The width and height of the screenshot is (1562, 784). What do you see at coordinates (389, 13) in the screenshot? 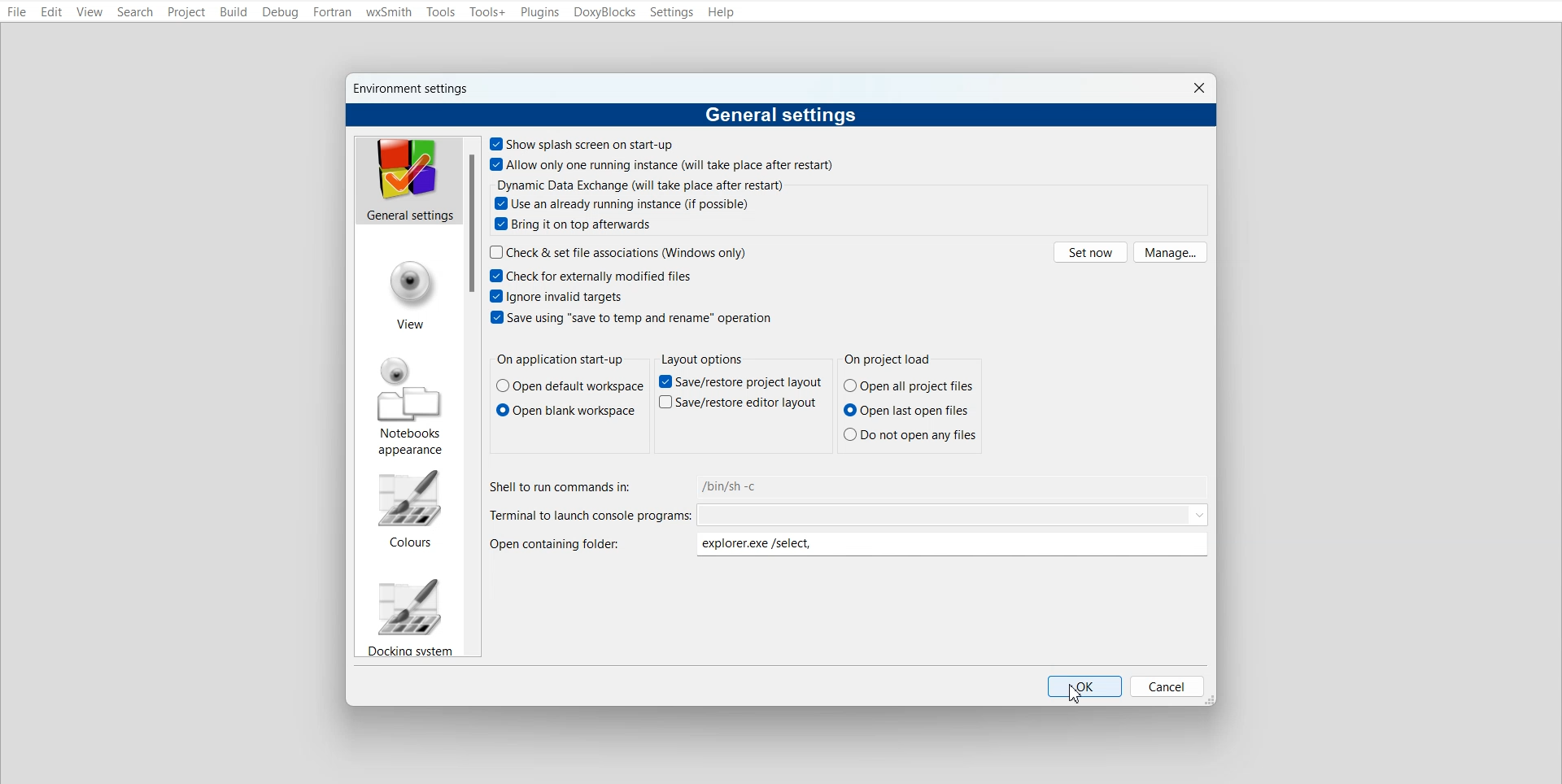
I see `wxSmith` at bounding box center [389, 13].